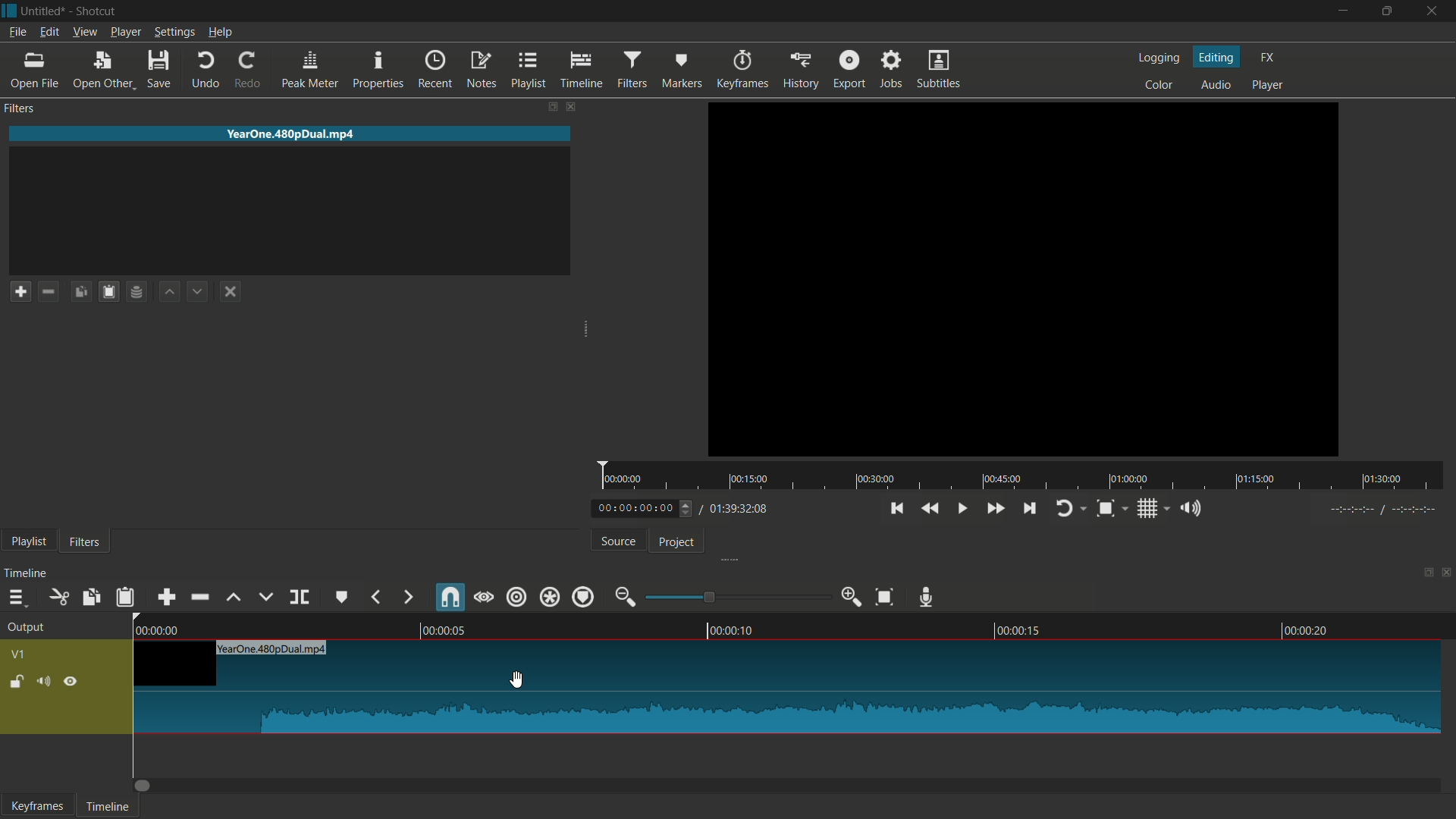 This screenshot has height=819, width=1456. Describe the element at coordinates (531, 69) in the screenshot. I see `playlist` at that location.